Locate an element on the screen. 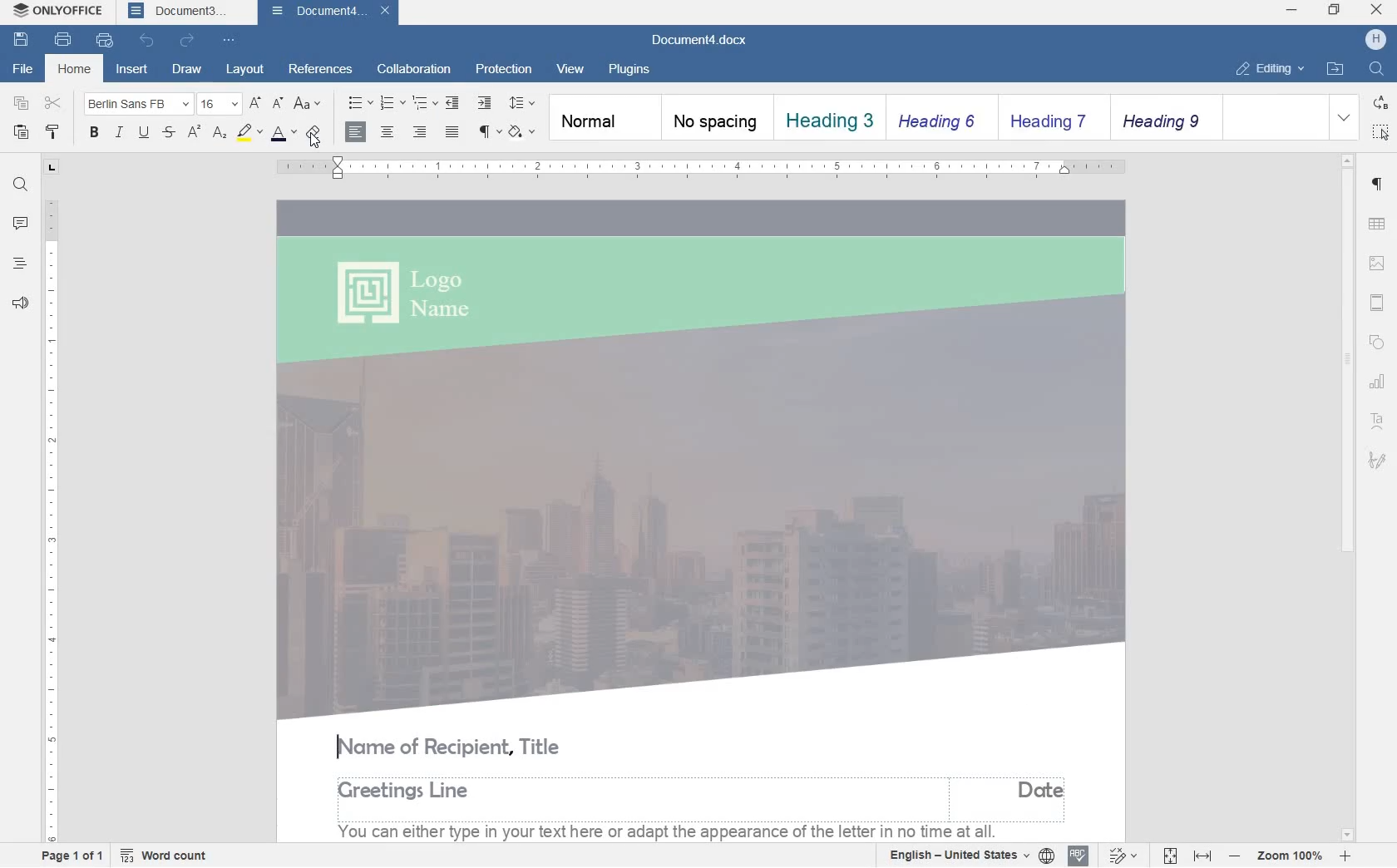 The image size is (1397, 868). fit to width is located at coordinates (1203, 853).